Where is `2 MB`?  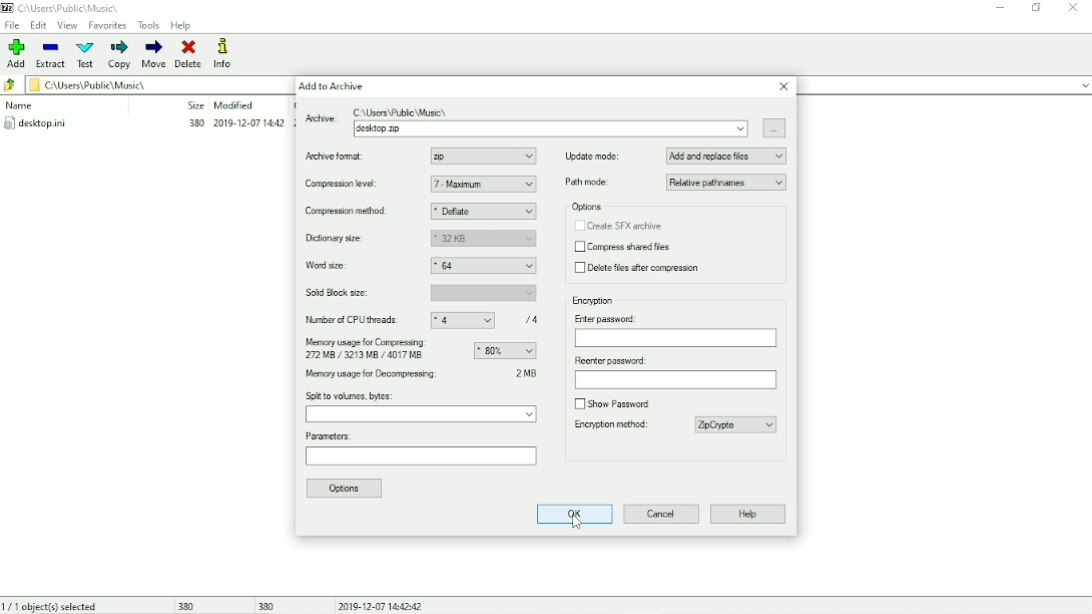
2 MB is located at coordinates (527, 374).